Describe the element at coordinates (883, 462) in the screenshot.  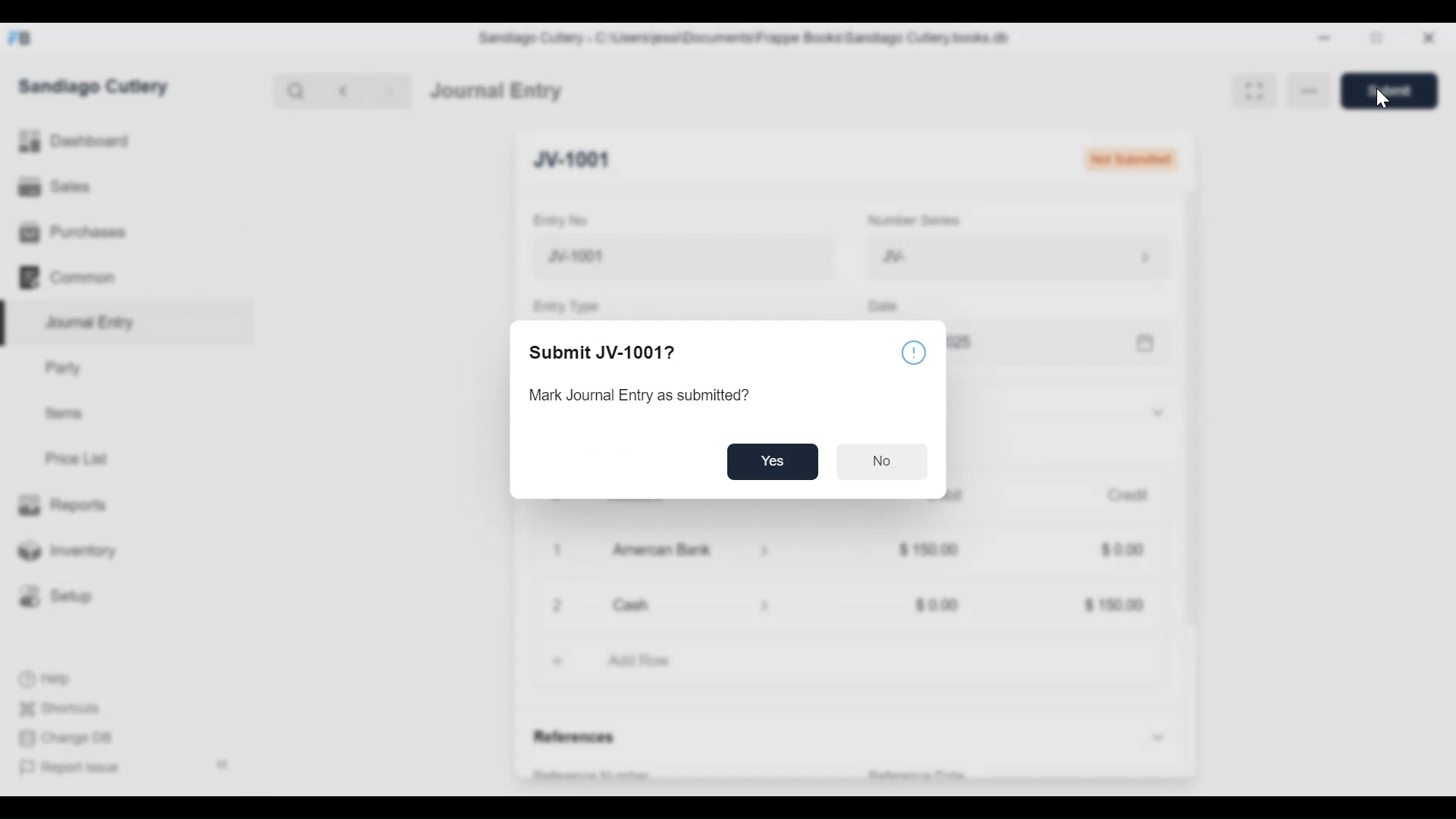
I see `No` at that location.